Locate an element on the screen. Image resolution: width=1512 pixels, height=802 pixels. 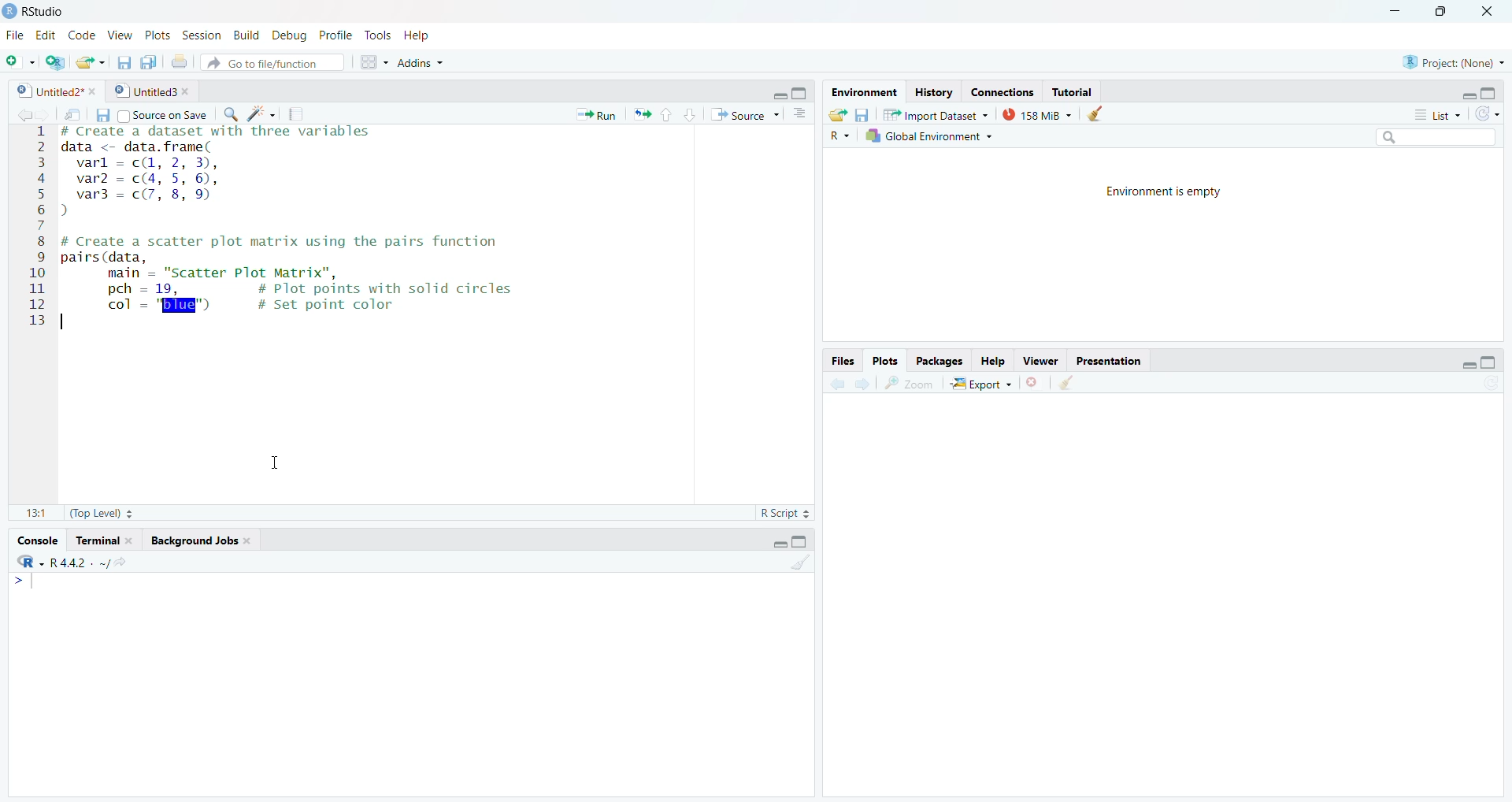
Find replace is located at coordinates (227, 116).